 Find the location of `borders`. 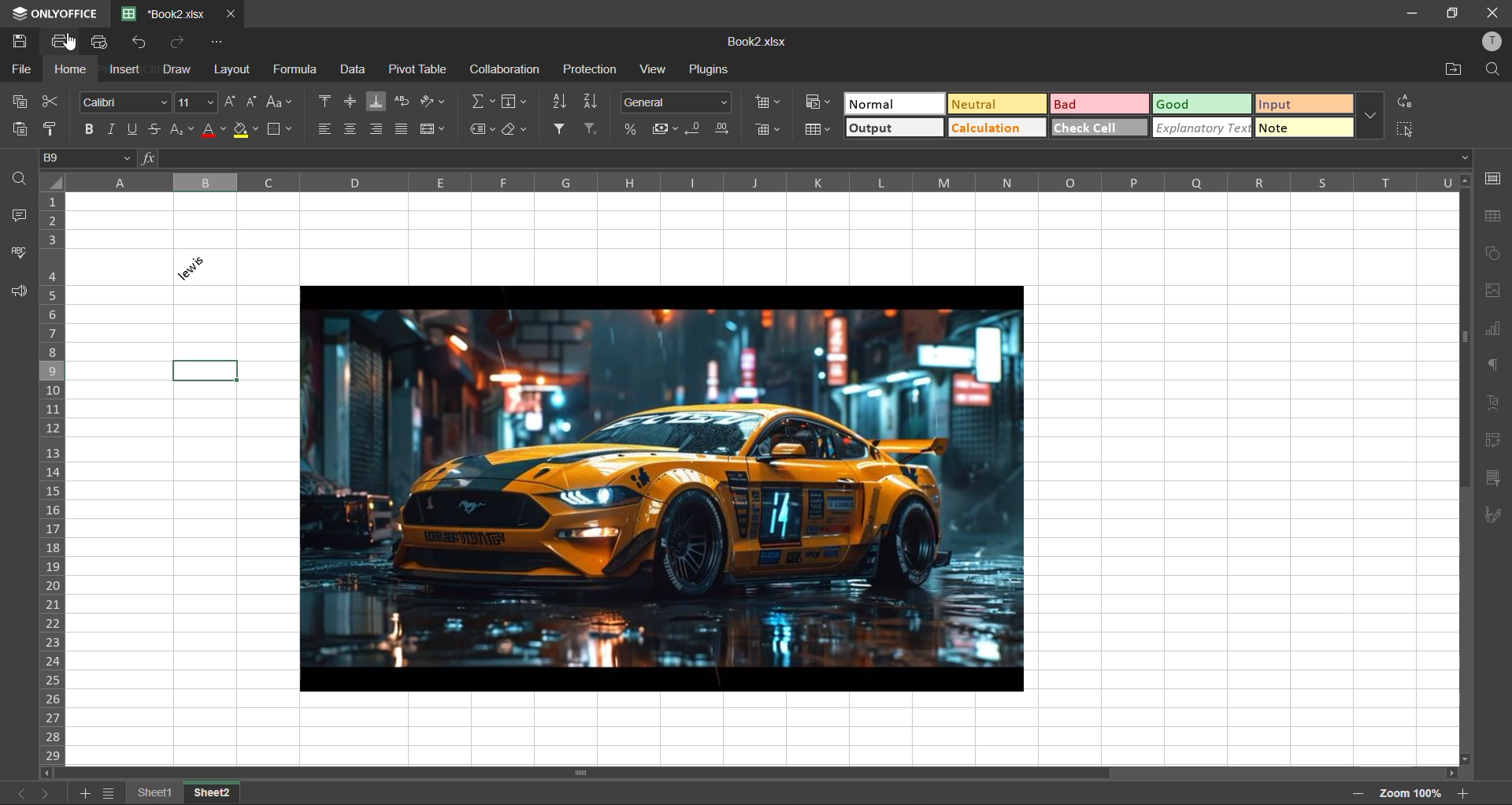

borders is located at coordinates (280, 128).